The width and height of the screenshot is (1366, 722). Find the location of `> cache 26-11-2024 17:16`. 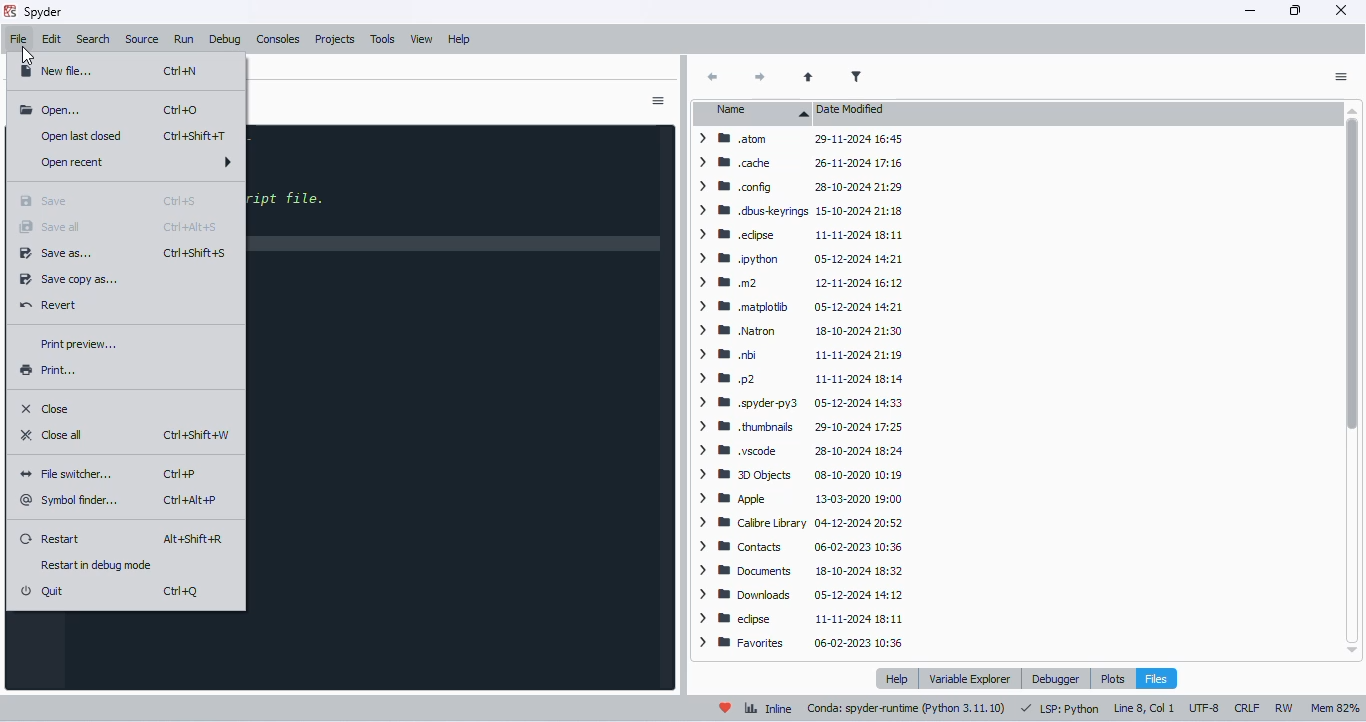

> cache 26-11-2024 17:16 is located at coordinates (795, 162).